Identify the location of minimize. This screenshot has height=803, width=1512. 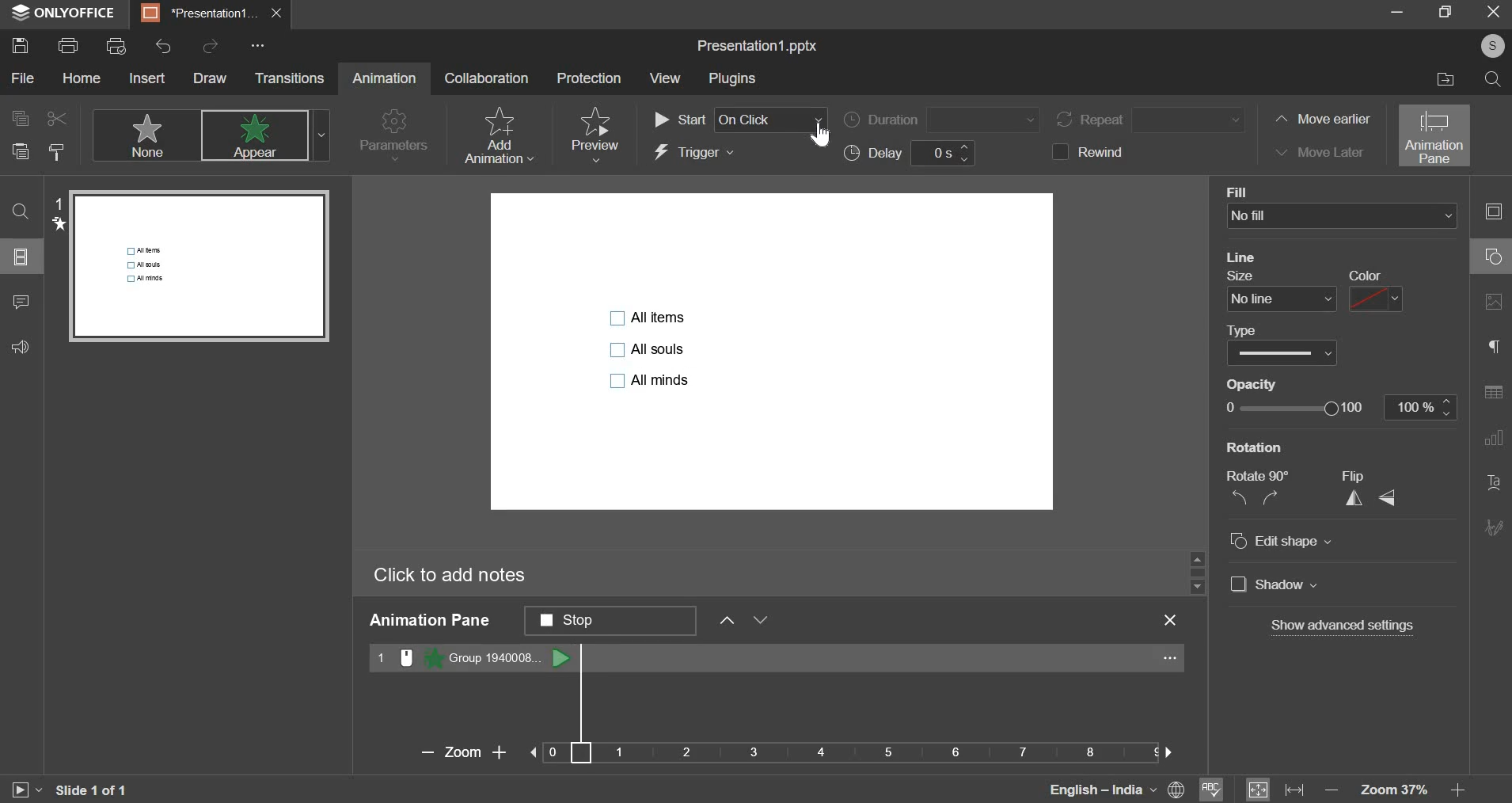
(1394, 16).